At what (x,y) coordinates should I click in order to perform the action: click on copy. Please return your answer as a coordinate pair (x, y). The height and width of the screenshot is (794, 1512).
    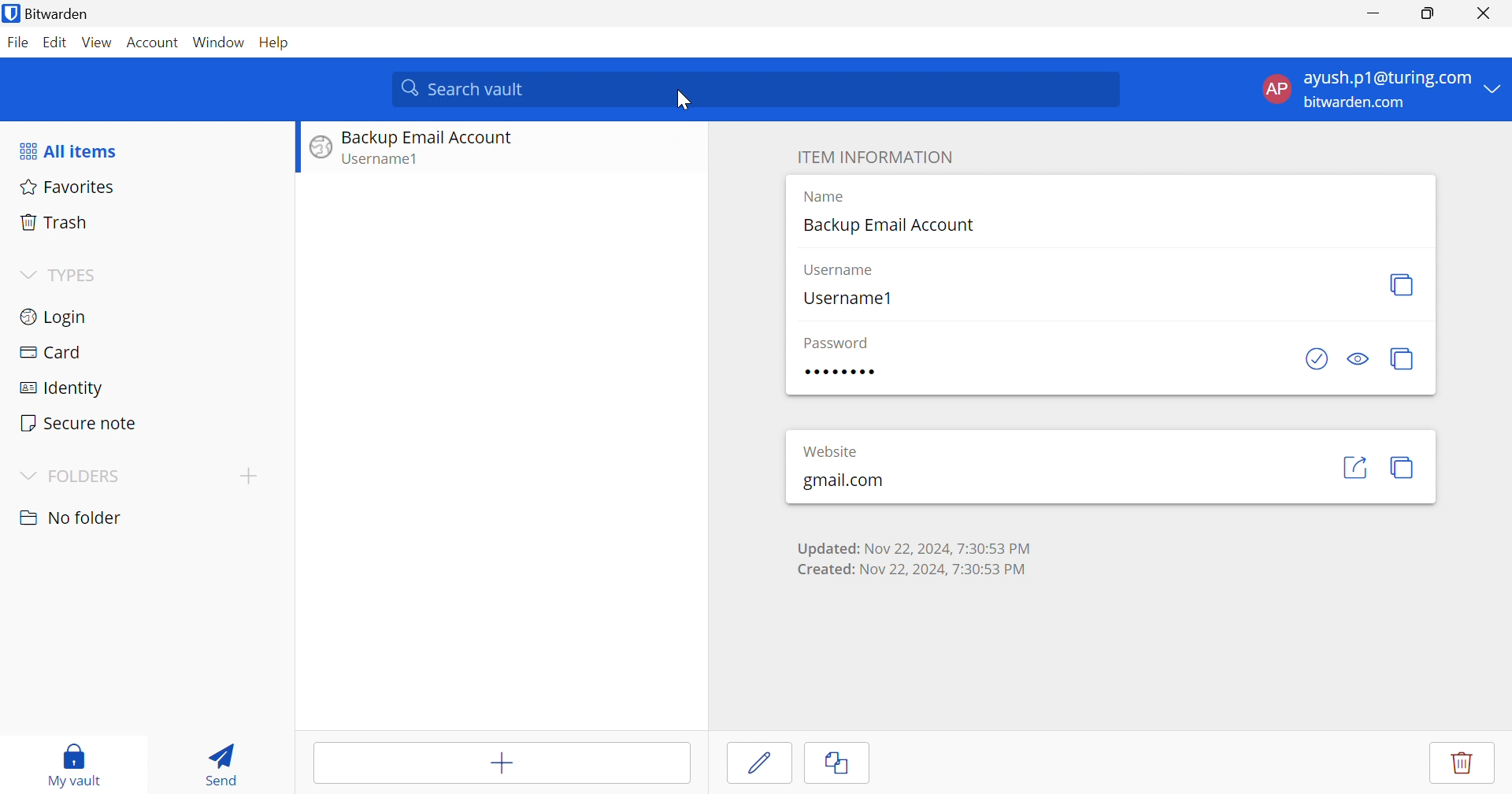
    Looking at the image, I should click on (1403, 360).